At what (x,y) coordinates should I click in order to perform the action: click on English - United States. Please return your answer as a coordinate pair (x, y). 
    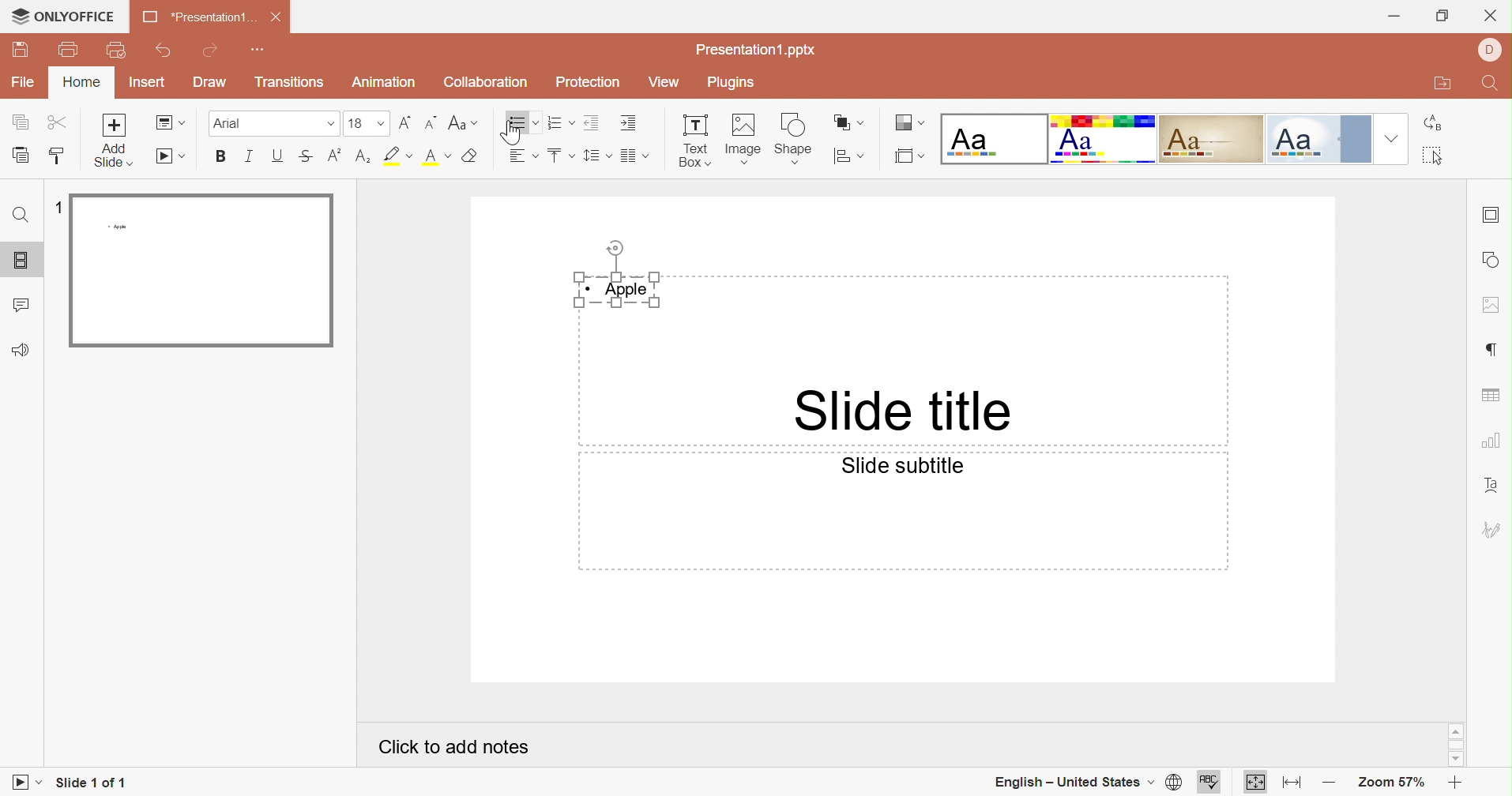
    Looking at the image, I should click on (1066, 780).